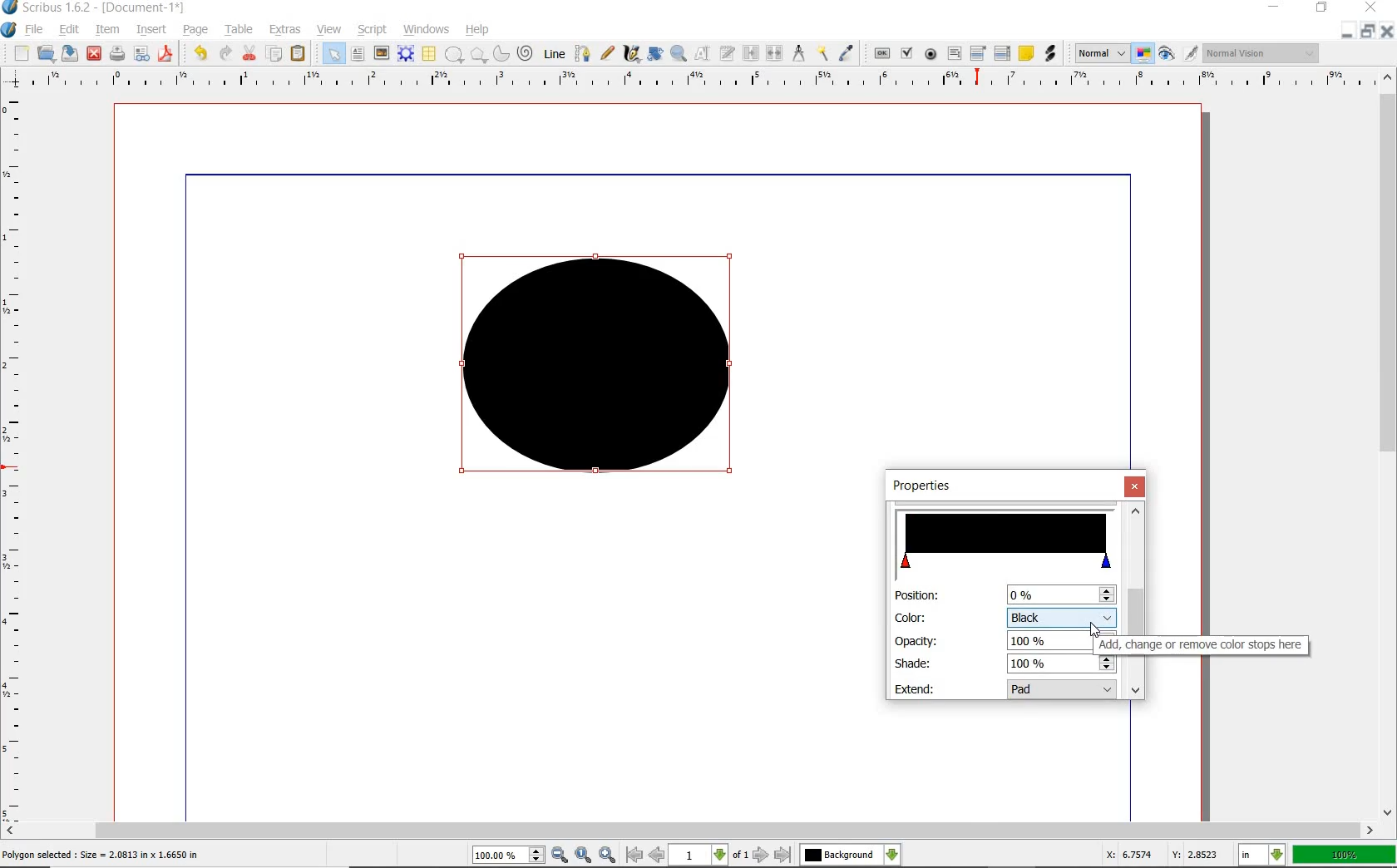  Describe the element at coordinates (1063, 691) in the screenshot. I see `extend` at that location.